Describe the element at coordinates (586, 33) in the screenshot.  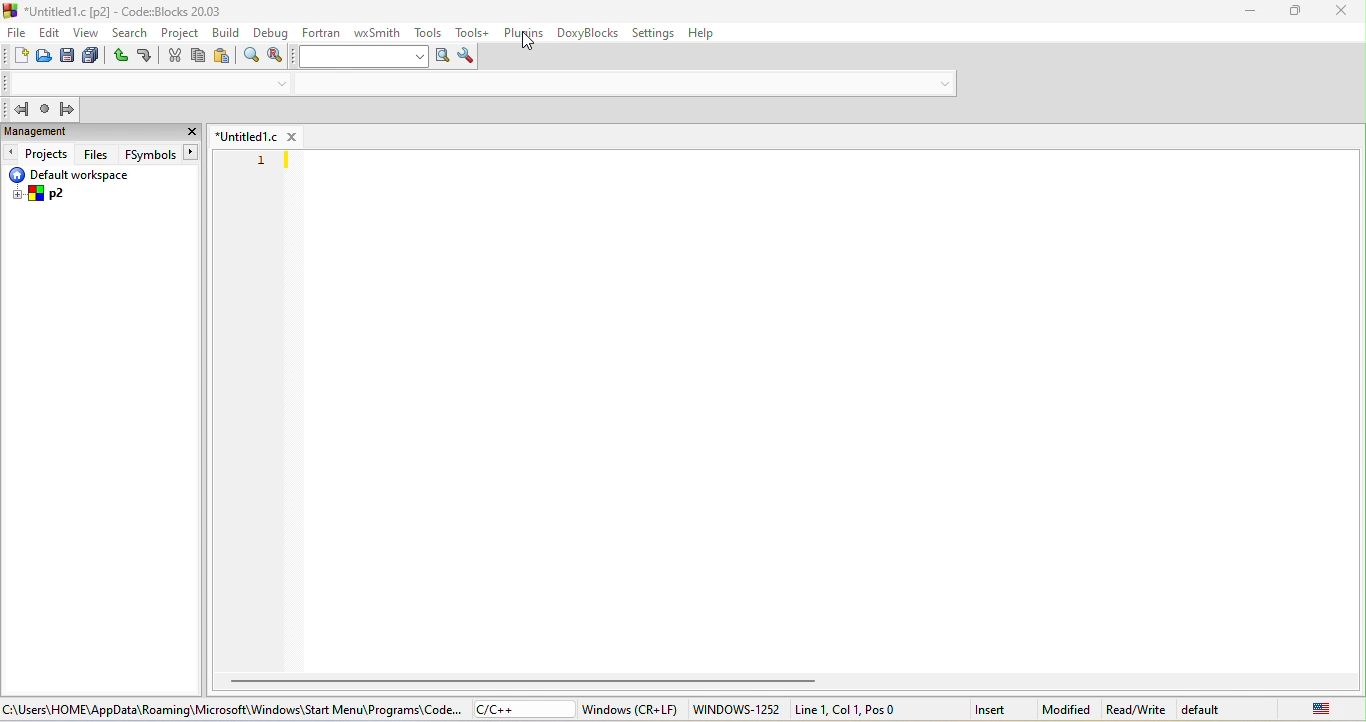
I see `doxyblocks` at that location.